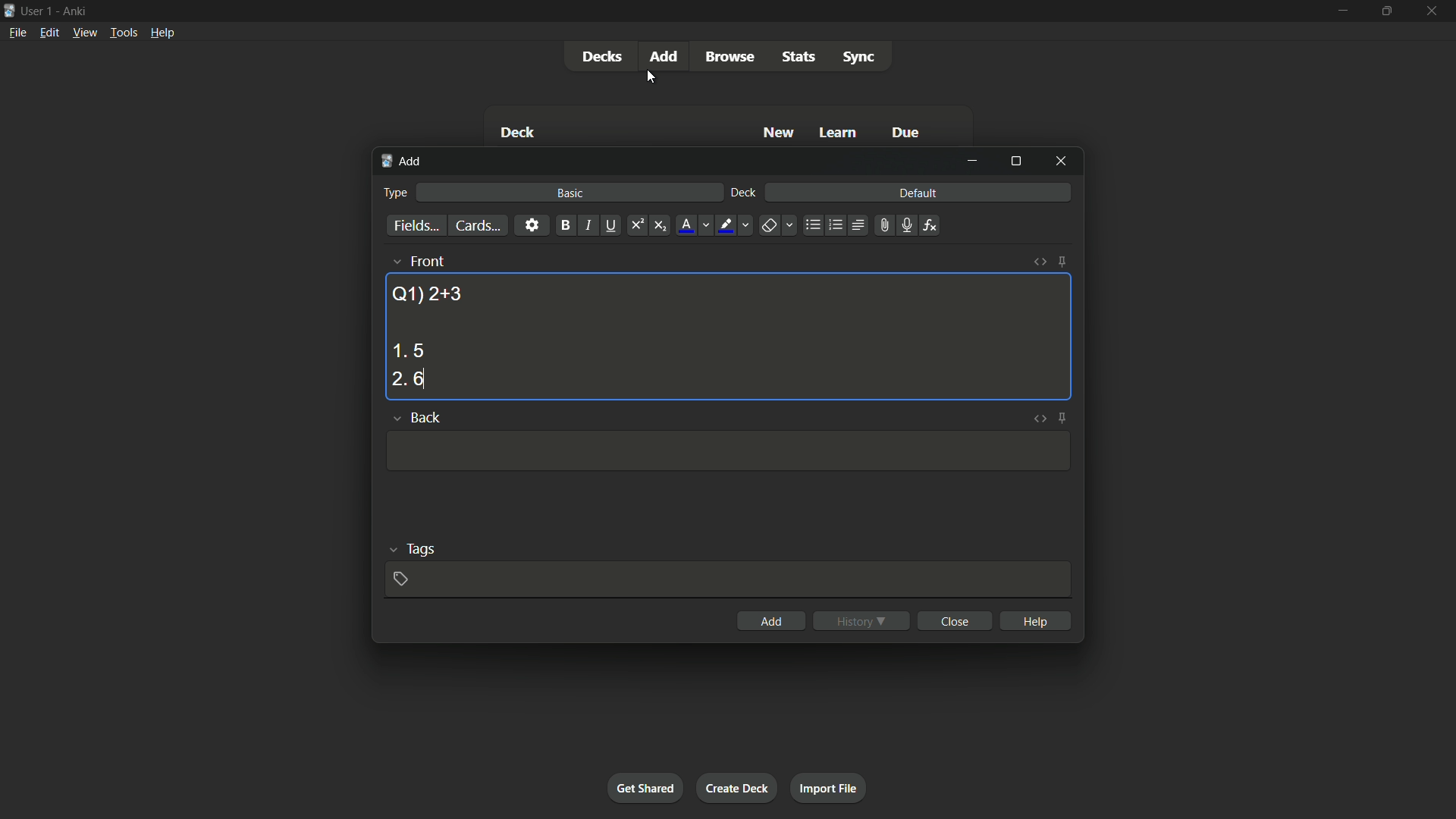  I want to click on maximize, so click(1015, 161).